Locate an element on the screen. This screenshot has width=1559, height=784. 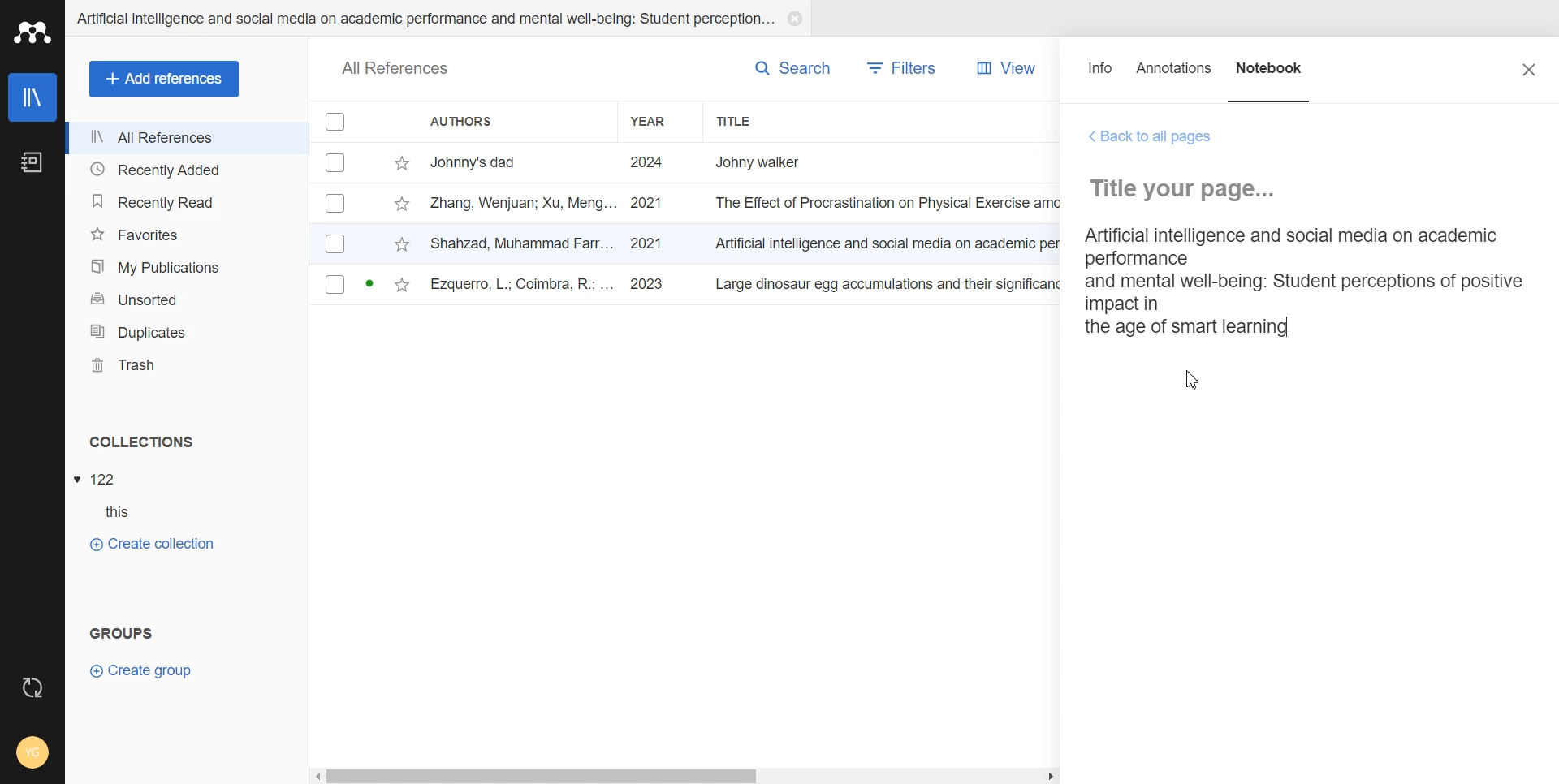
Create Collection is located at coordinates (151, 543).